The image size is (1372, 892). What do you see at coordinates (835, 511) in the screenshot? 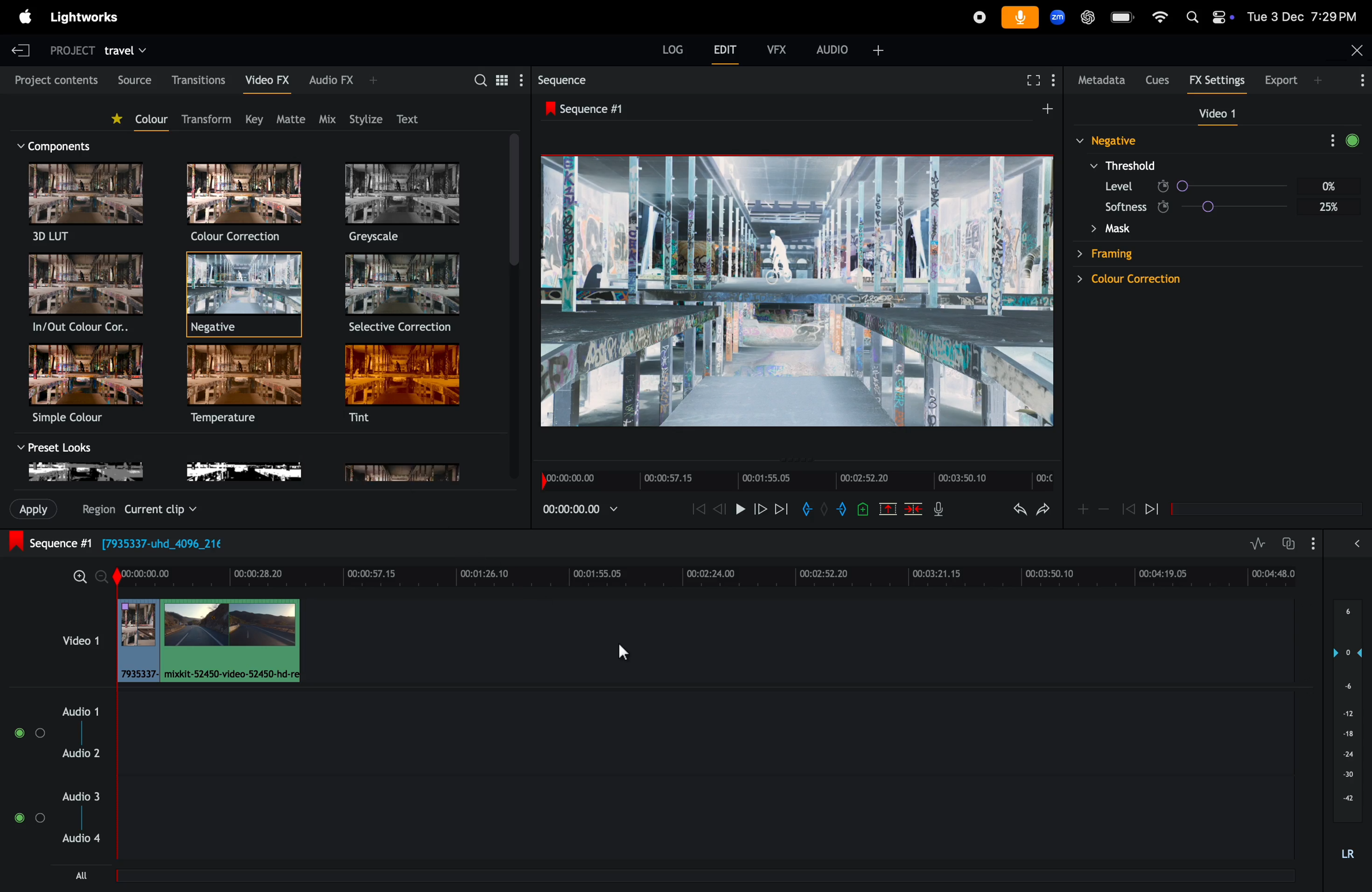
I see `add out` at bounding box center [835, 511].